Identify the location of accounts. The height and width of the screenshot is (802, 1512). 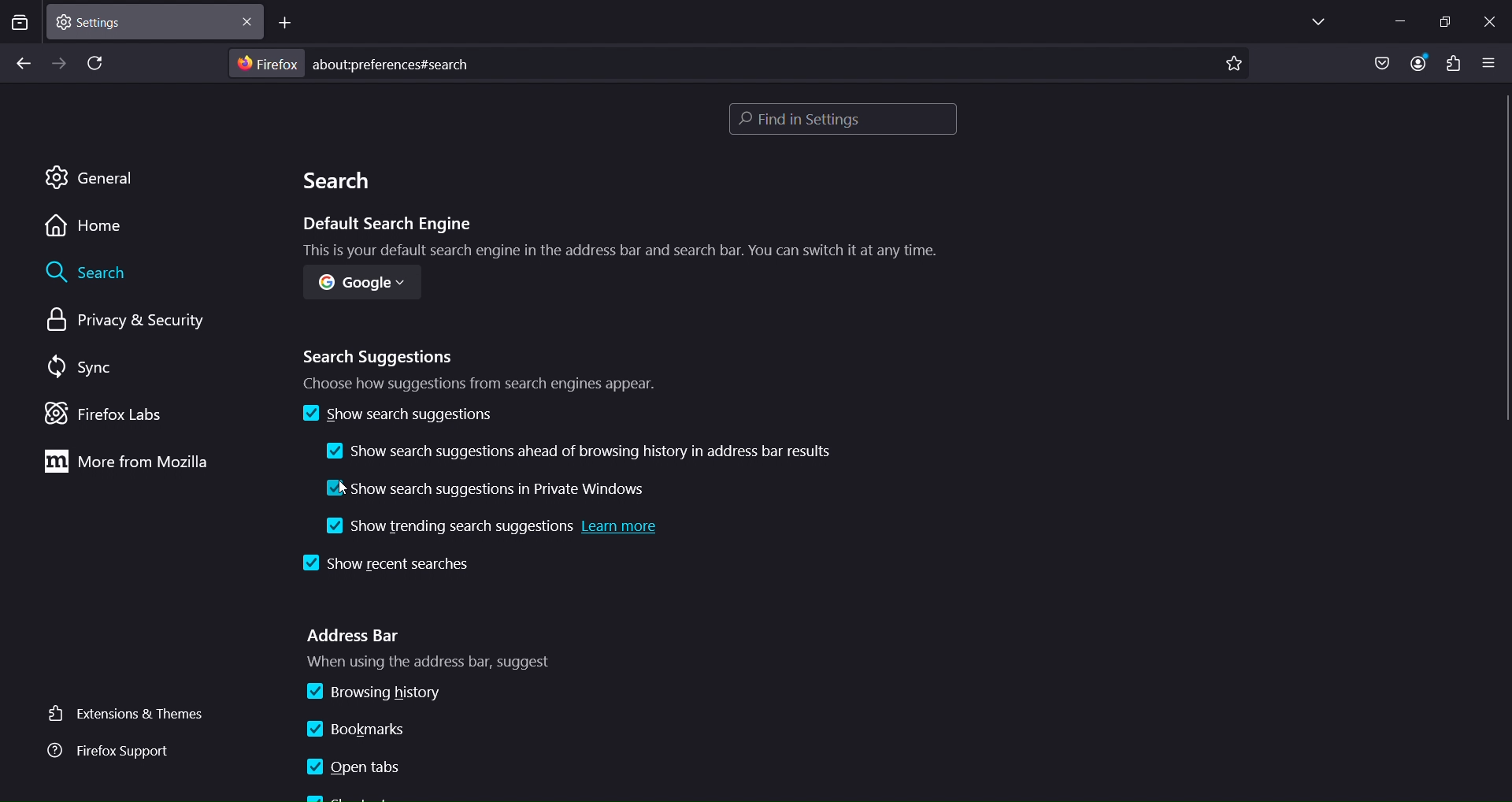
(1422, 64).